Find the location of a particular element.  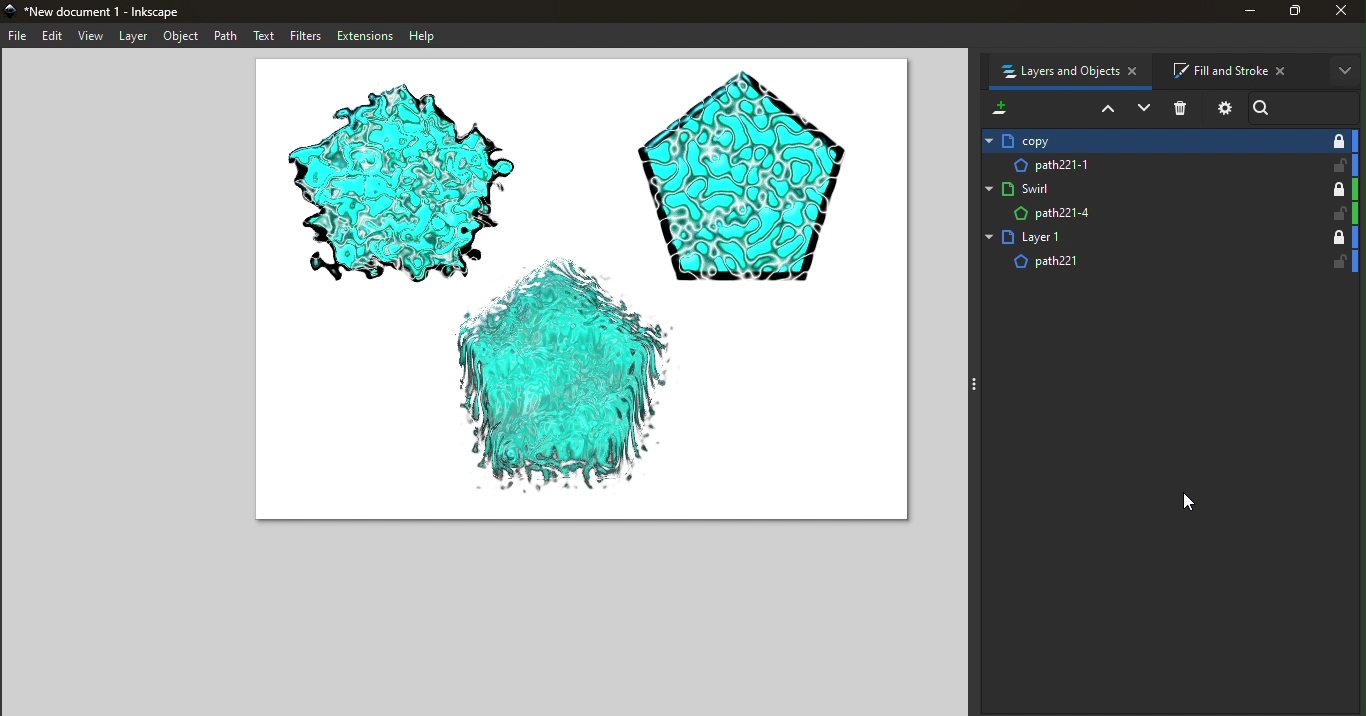

lock/unlock layer is located at coordinates (1343, 141).